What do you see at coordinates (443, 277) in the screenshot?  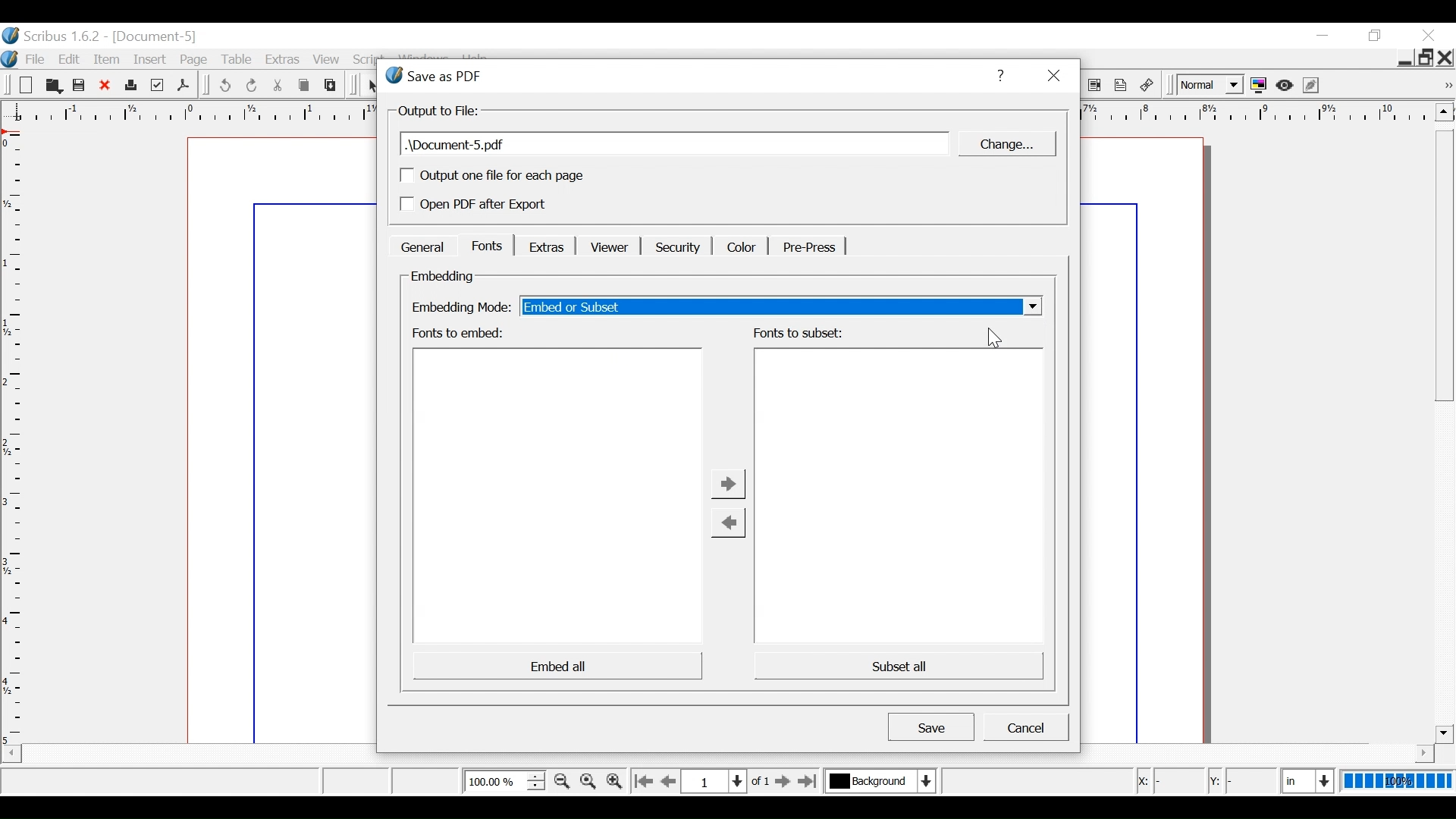 I see `Embedding` at bounding box center [443, 277].